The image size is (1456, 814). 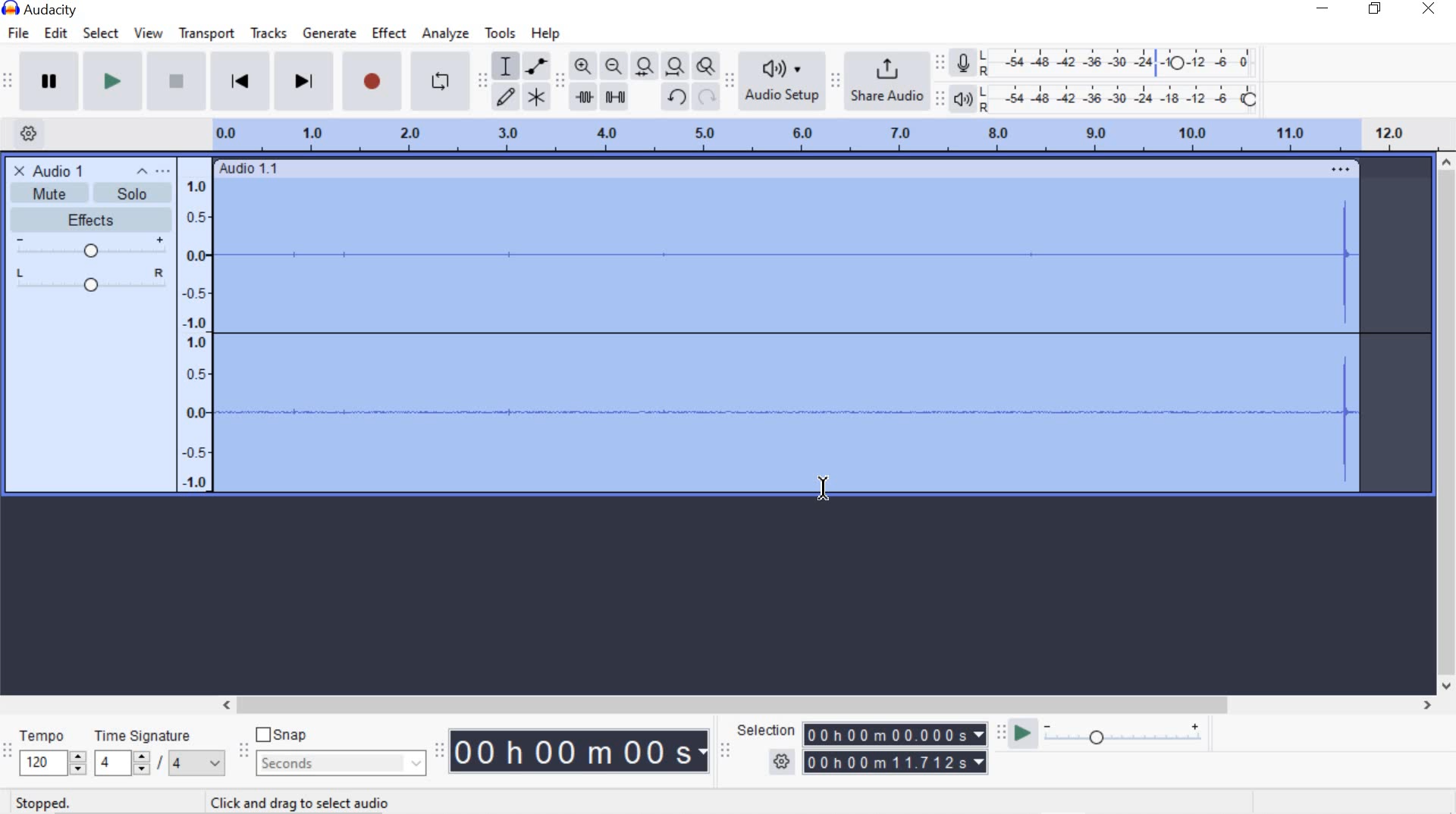 I want to click on Audio 1.1, so click(x=787, y=164).